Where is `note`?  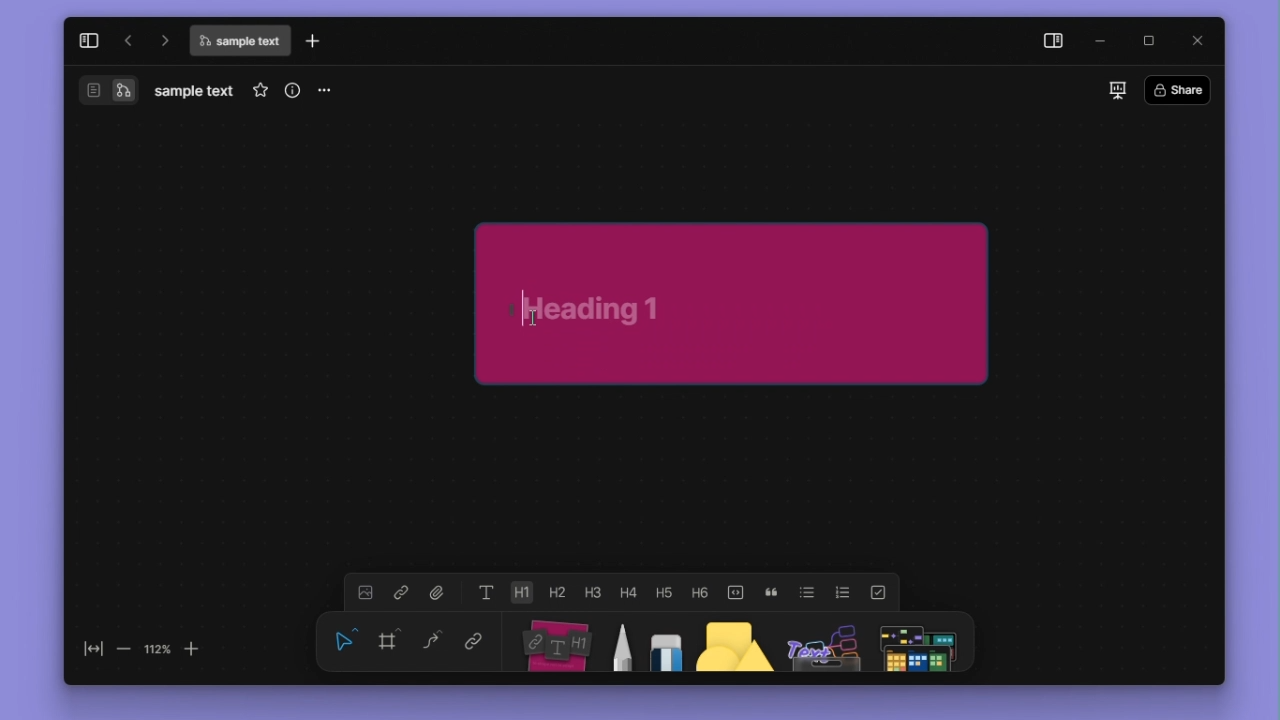 note is located at coordinates (559, 642).